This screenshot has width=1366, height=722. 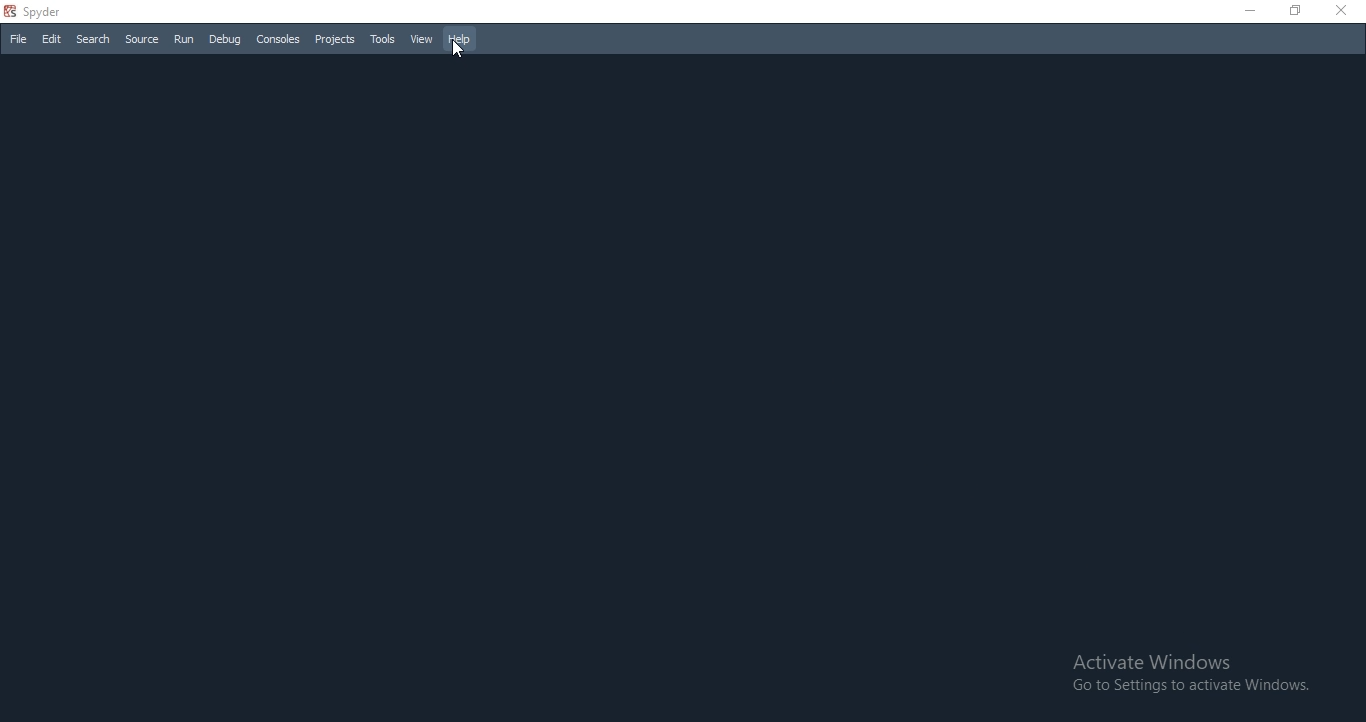 I want to click on Search, so click(x=90, y=39).